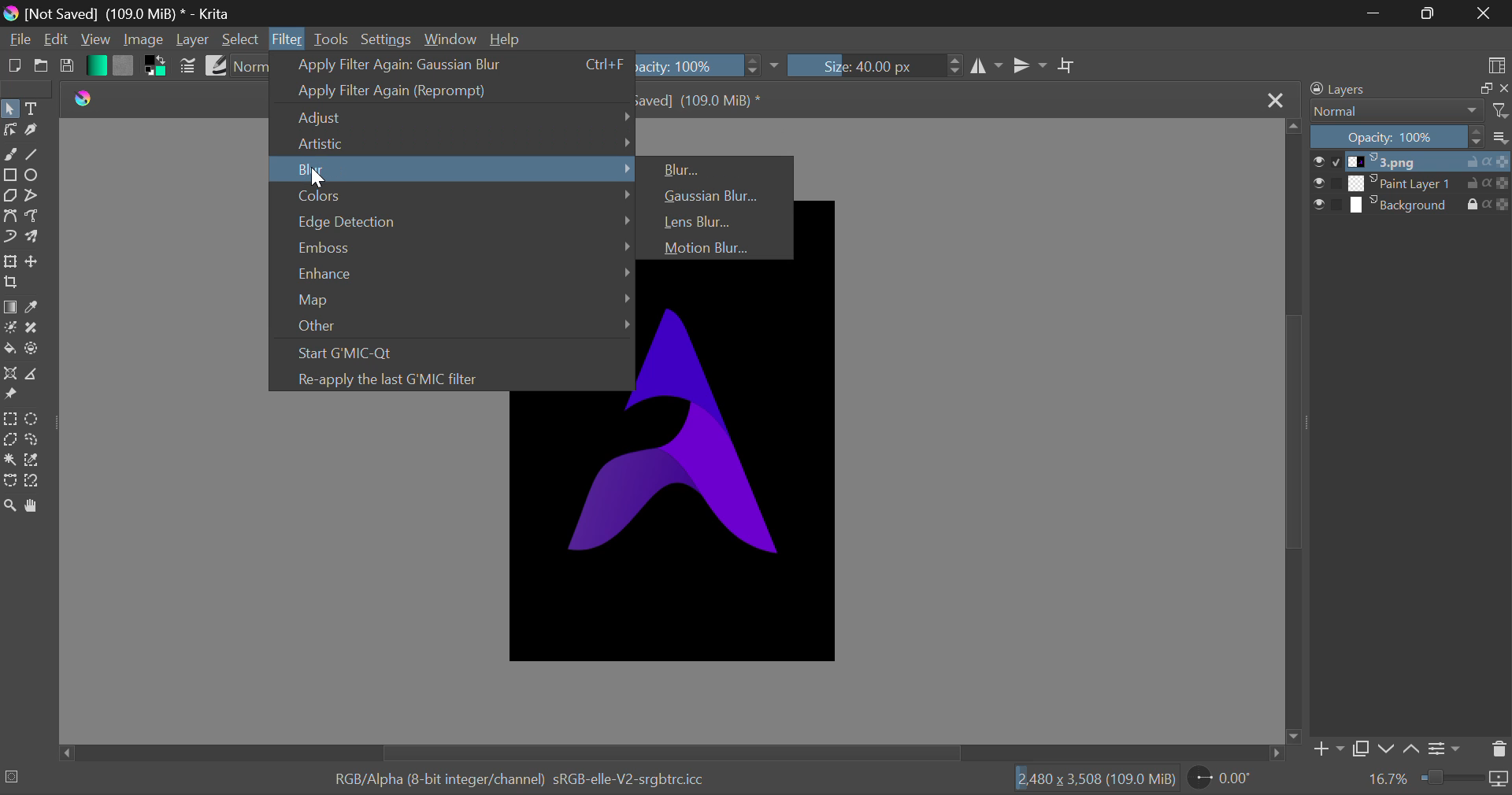 This screenshot has width=1512, height=795. I want to click on Blur, so click(717, 167).